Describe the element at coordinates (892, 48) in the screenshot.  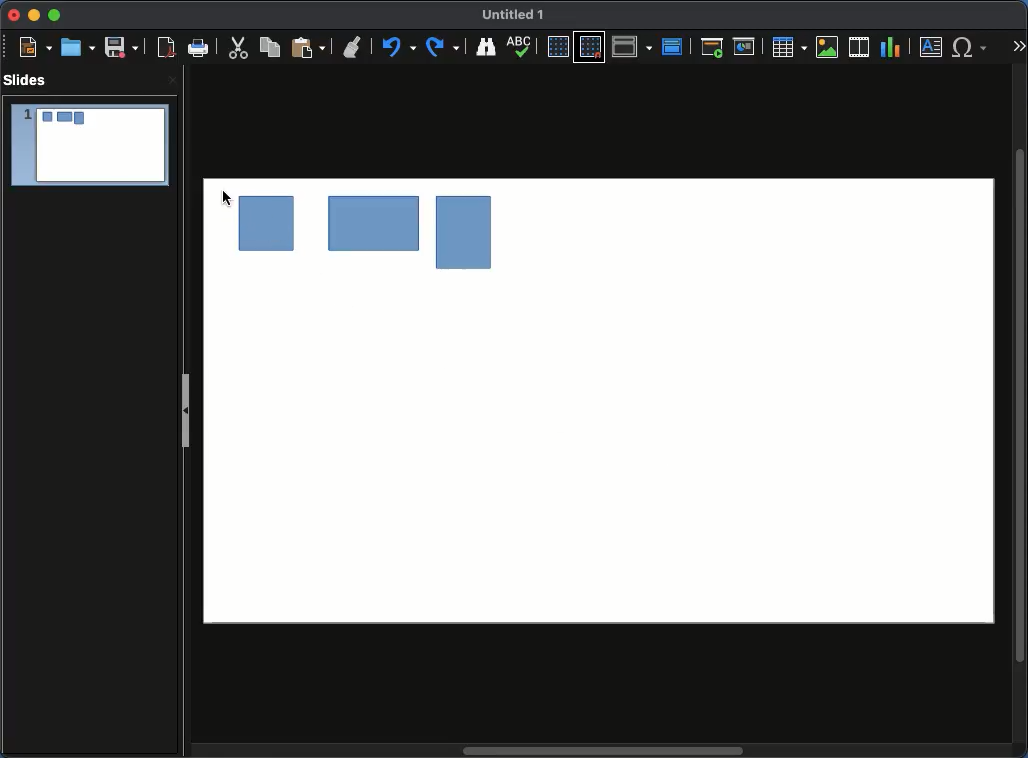
I see `Chart` at that location.